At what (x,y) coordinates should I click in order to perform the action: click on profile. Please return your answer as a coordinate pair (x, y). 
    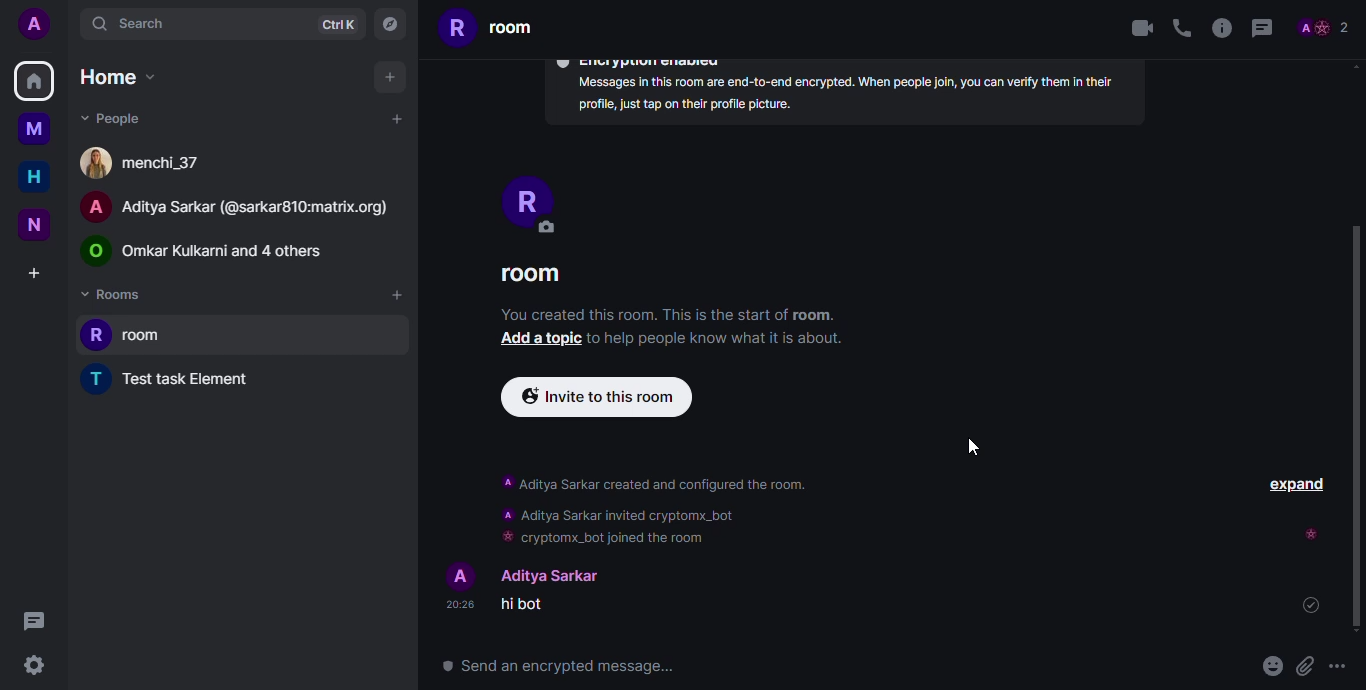
    Looking at the image, I should click on (1328, 25).